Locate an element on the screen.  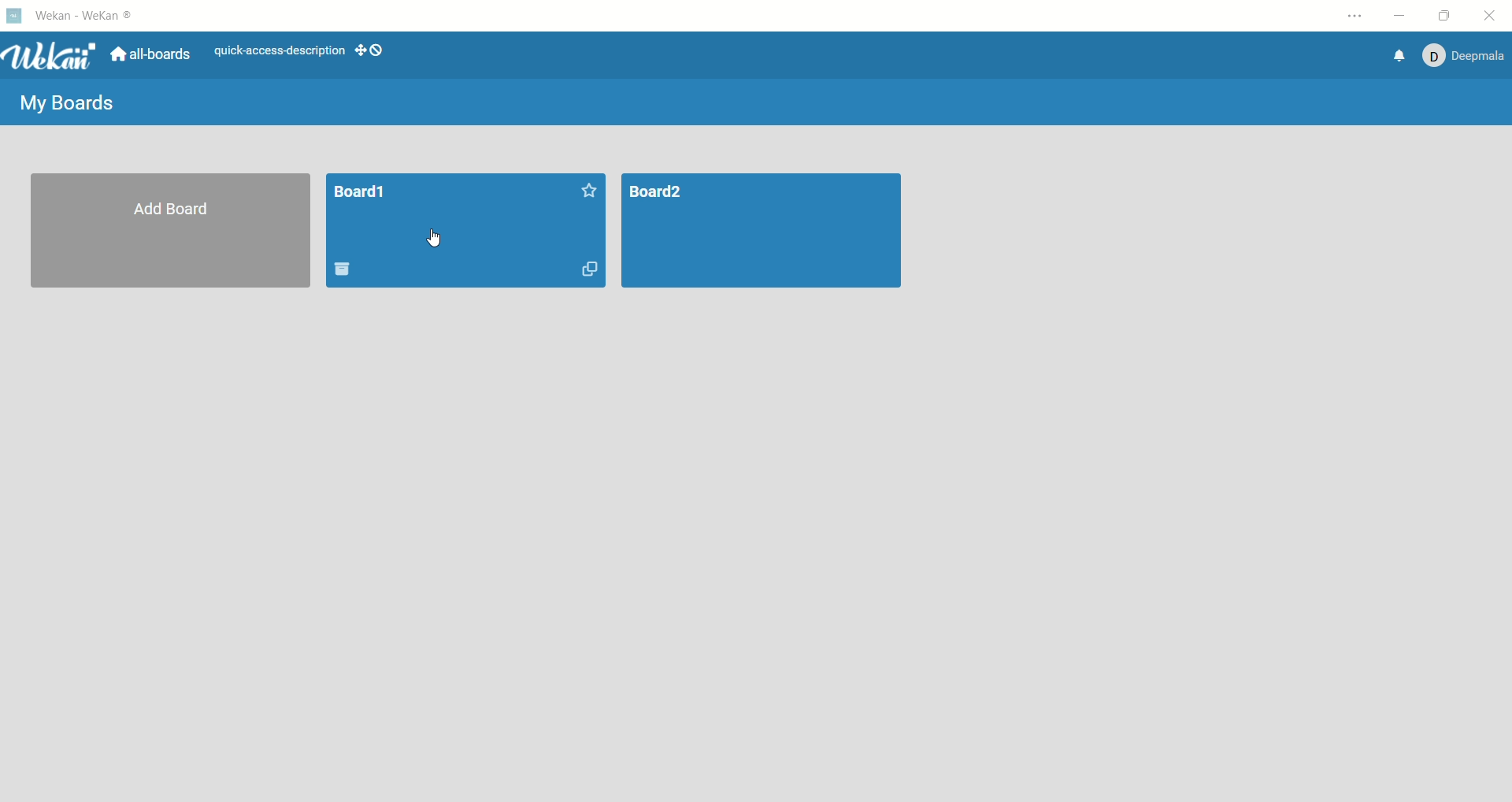
duplicate is located at coordinates (587, 269).